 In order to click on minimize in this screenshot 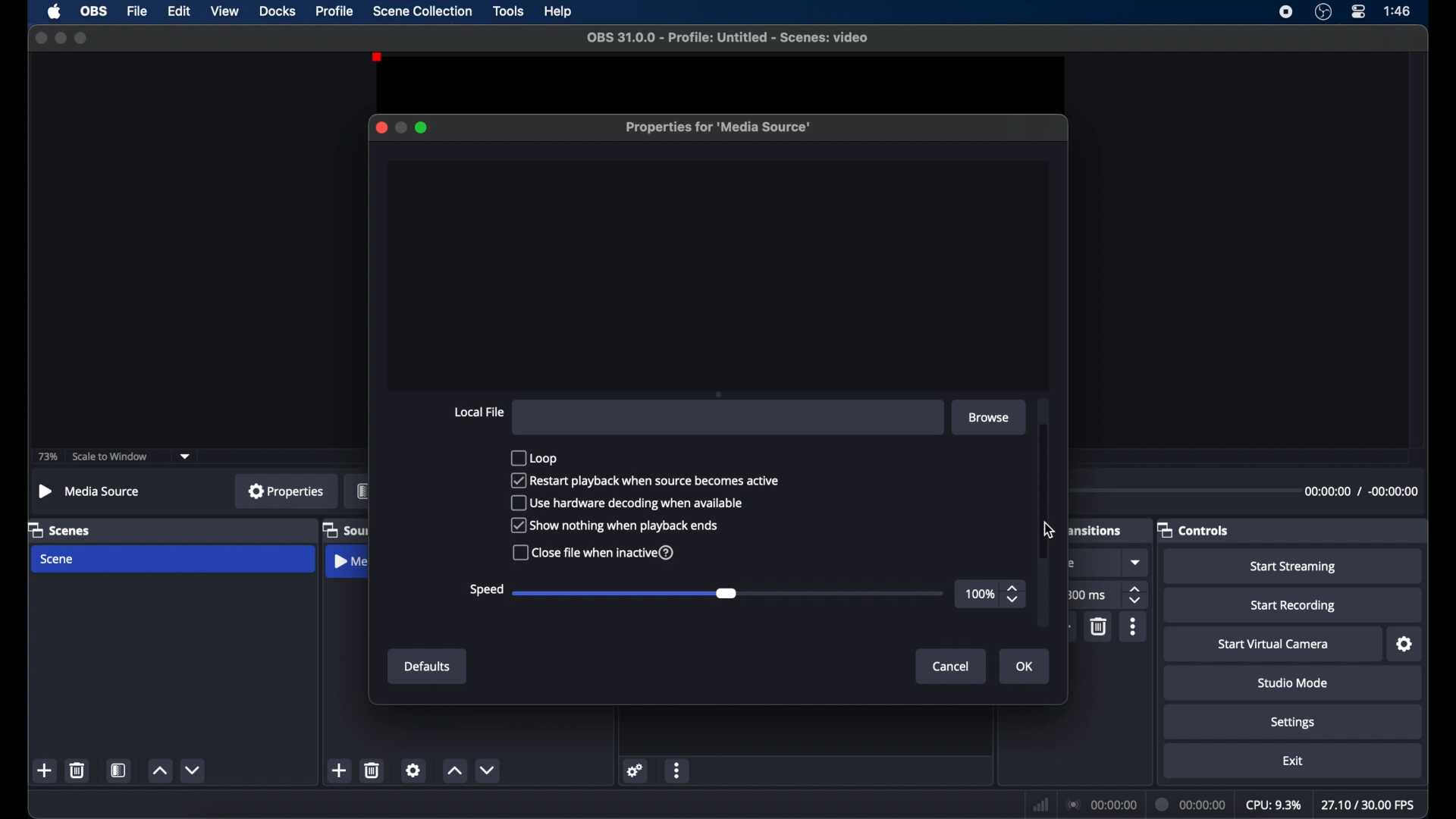, I will do `click(400, 127)`.